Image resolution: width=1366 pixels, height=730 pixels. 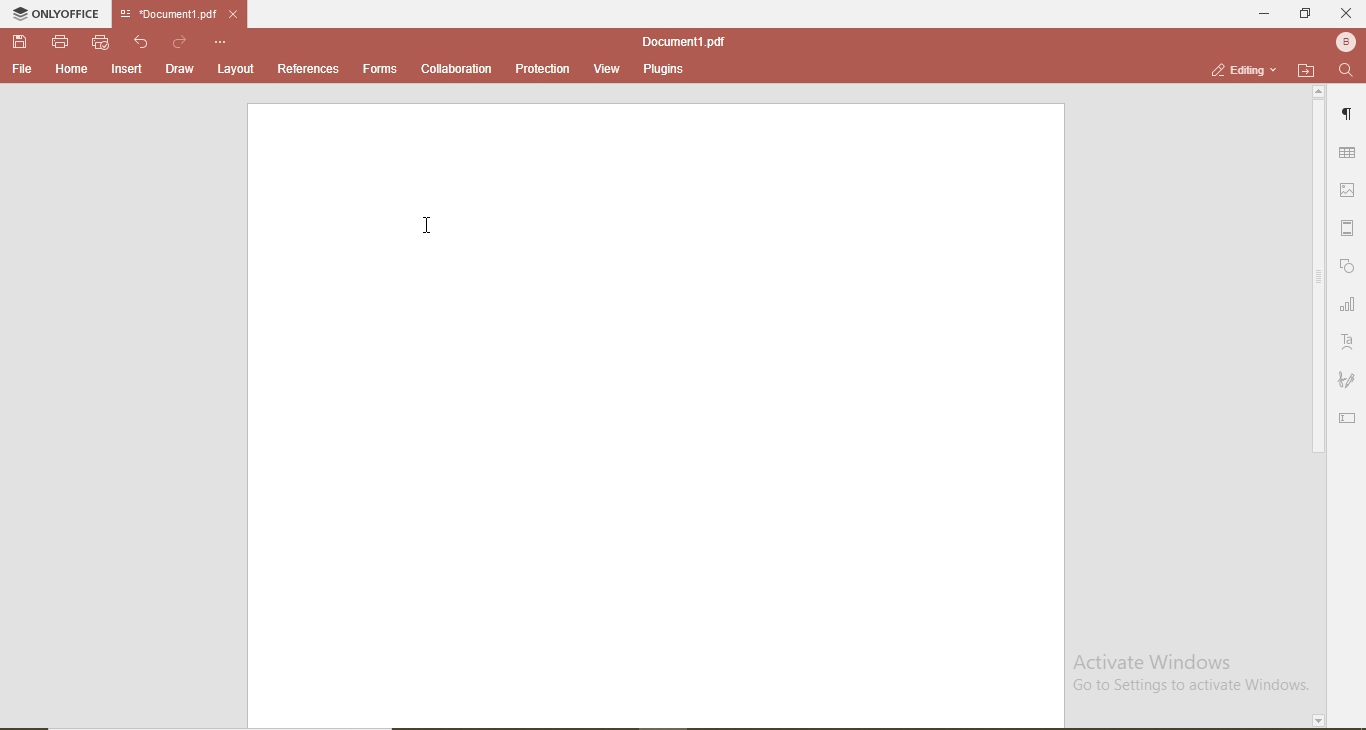 I want to click on minimise, so click(x=1262, y=15).